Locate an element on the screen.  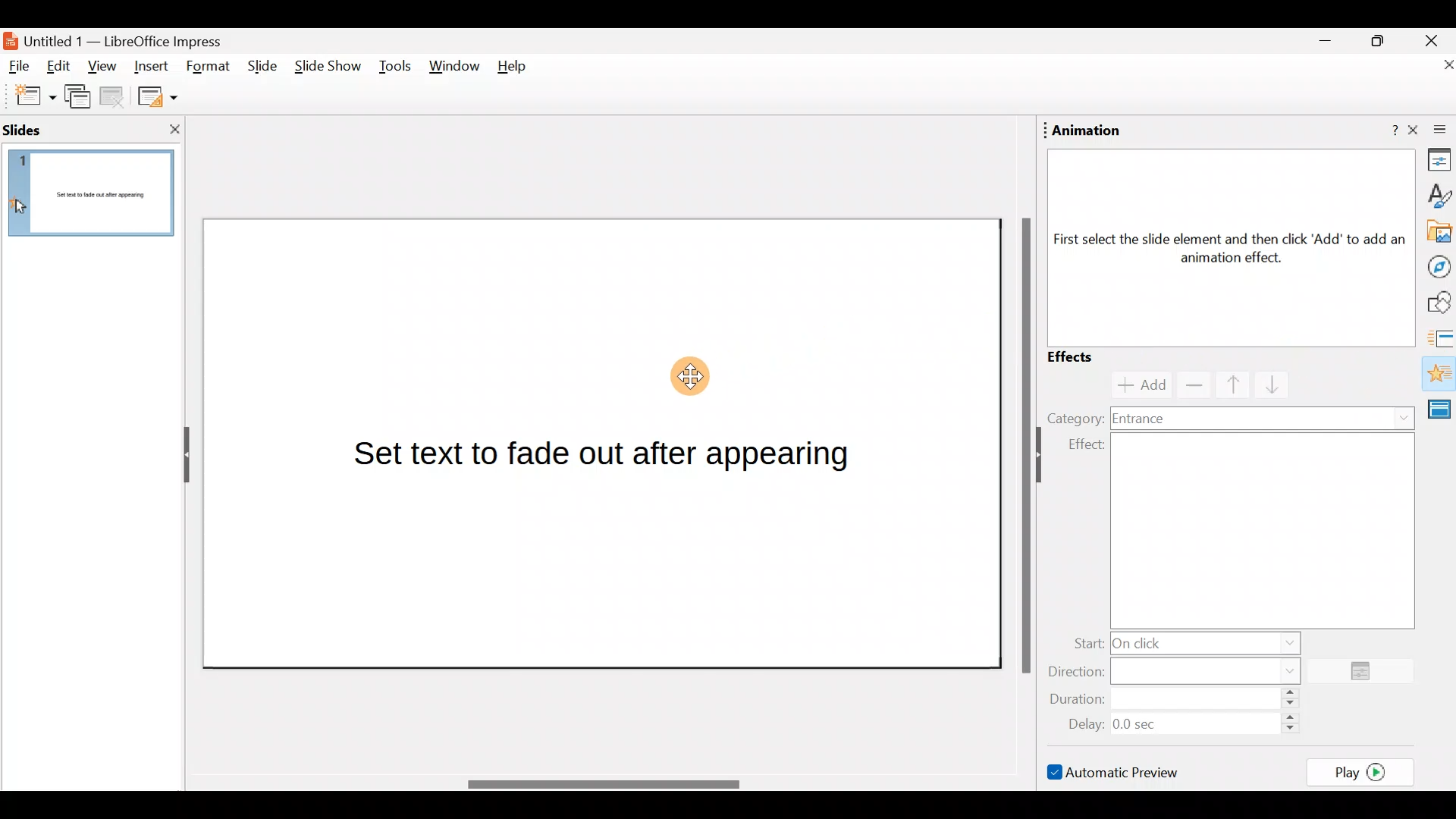
Animation panel is located at coordinates (1223, 245).